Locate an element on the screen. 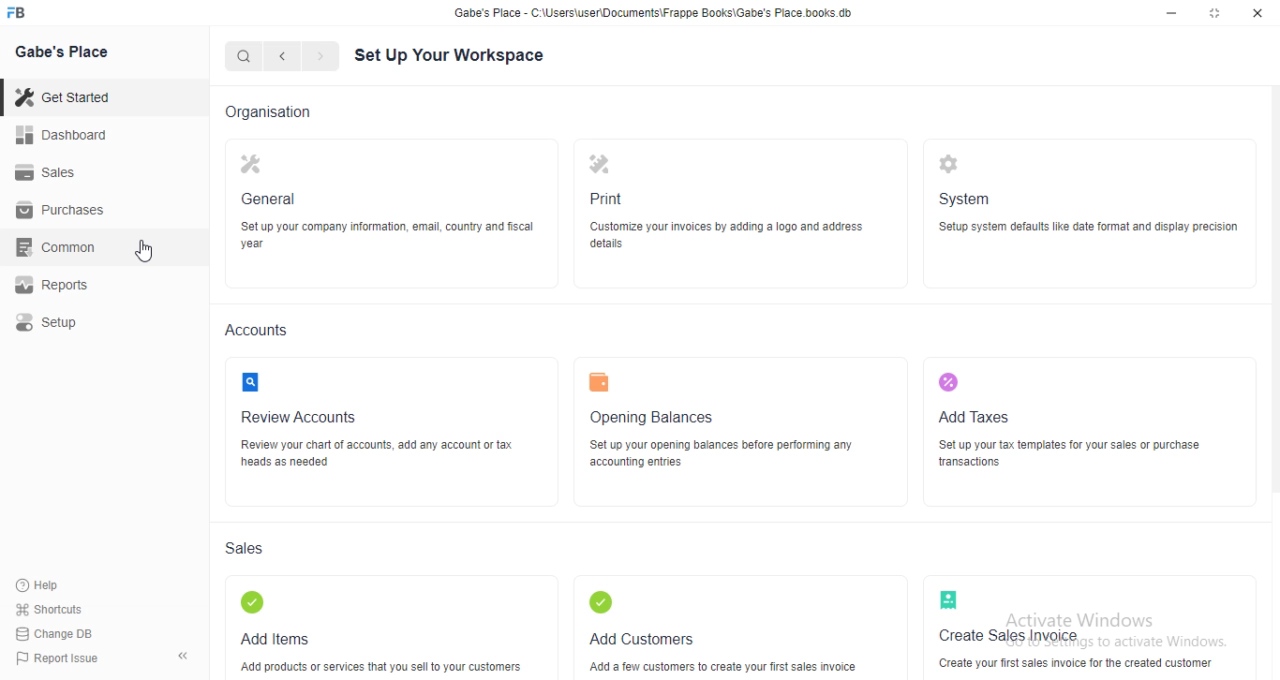 The width and height of the screenshot is (1280, 680). Gabe's Place is located at coordinates (66, 52).